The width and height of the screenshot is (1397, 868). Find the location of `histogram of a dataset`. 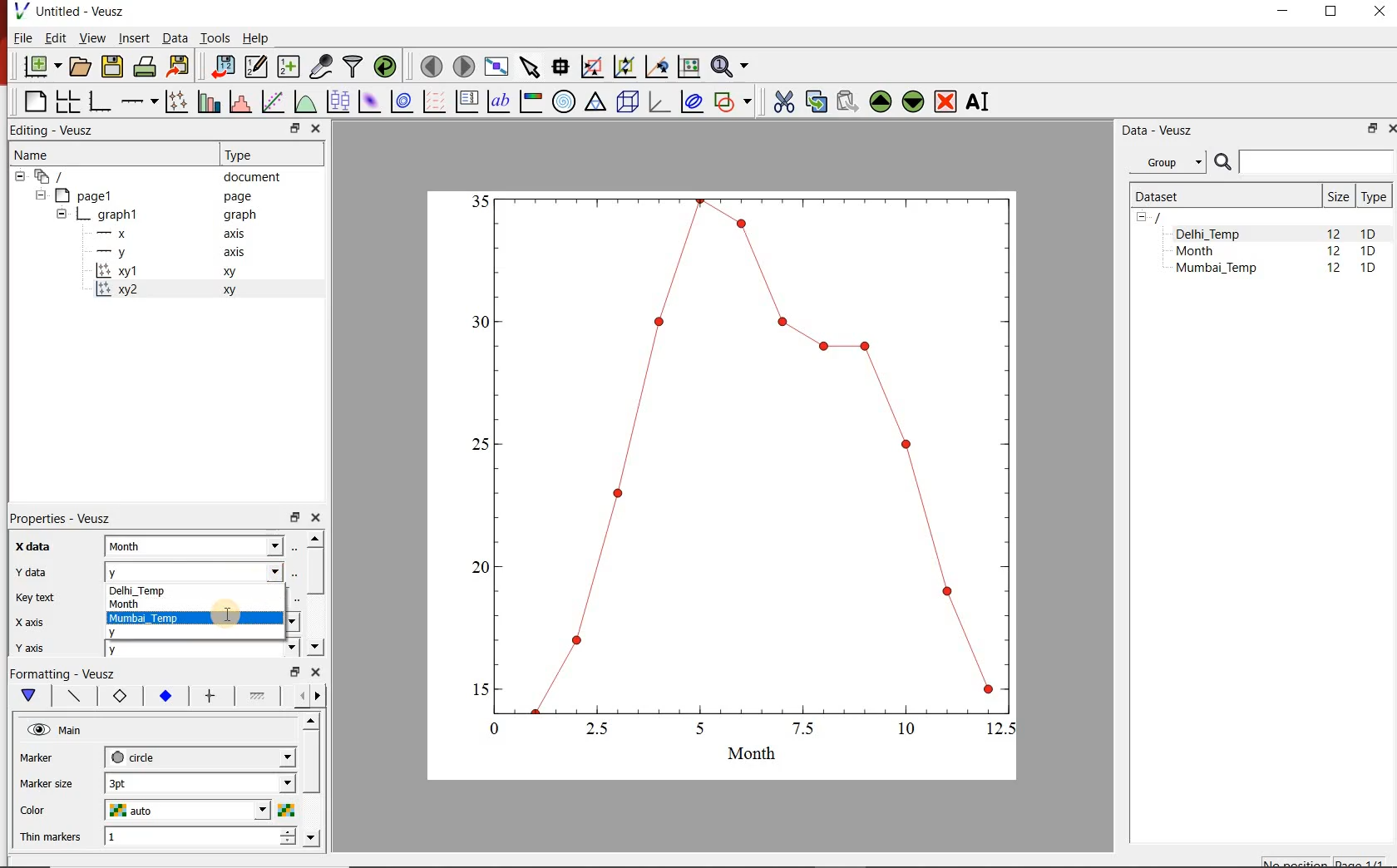

histogram of a dataset is located at coordinates (239, 101).